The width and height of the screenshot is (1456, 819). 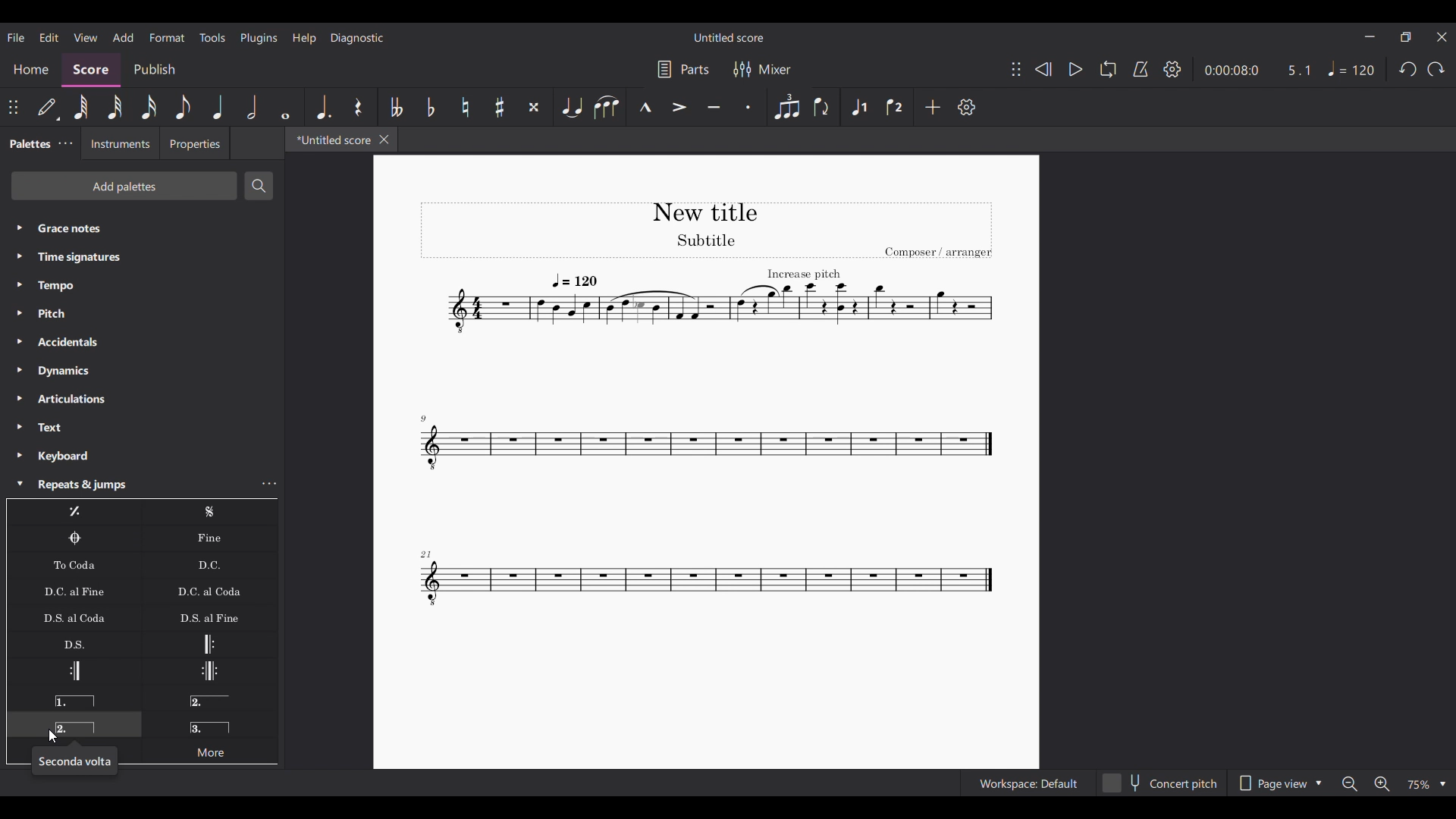 I want to click on Current score, so click(x=705, y=407).